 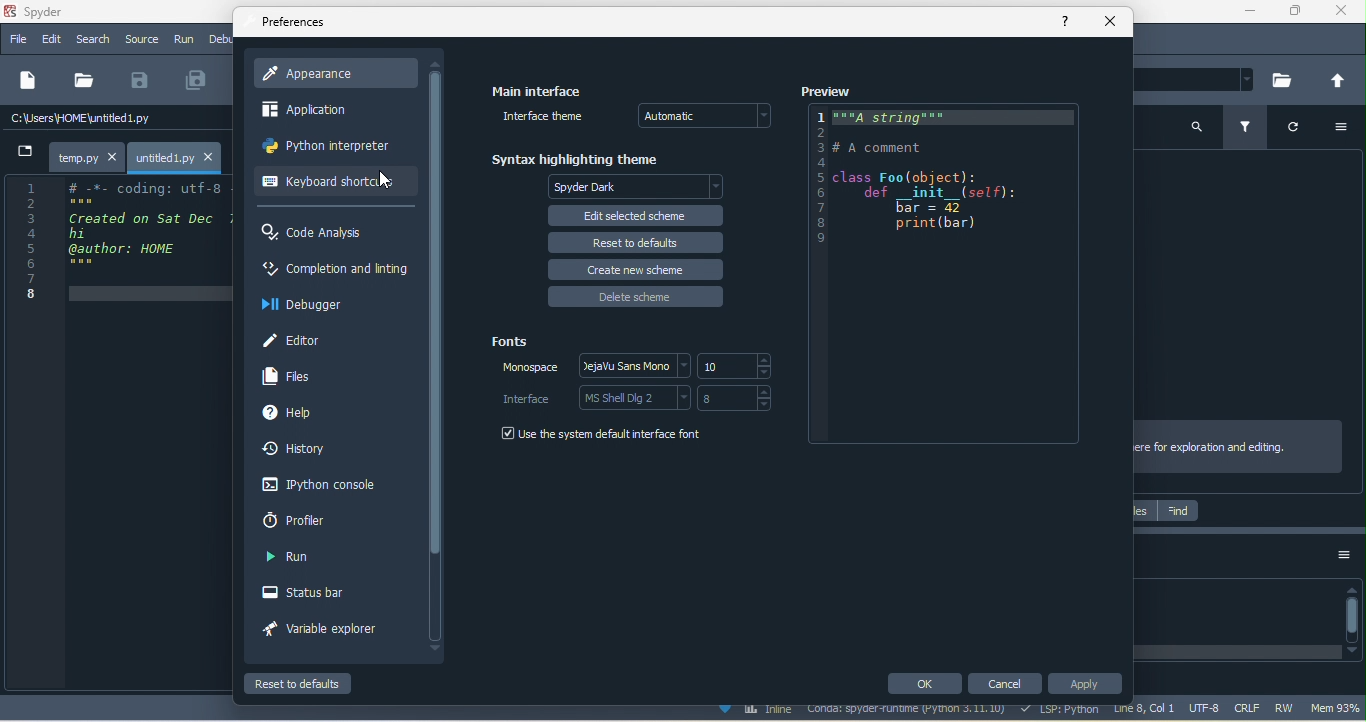 I want to click on lsp- python, so click(x=1061, y=711).